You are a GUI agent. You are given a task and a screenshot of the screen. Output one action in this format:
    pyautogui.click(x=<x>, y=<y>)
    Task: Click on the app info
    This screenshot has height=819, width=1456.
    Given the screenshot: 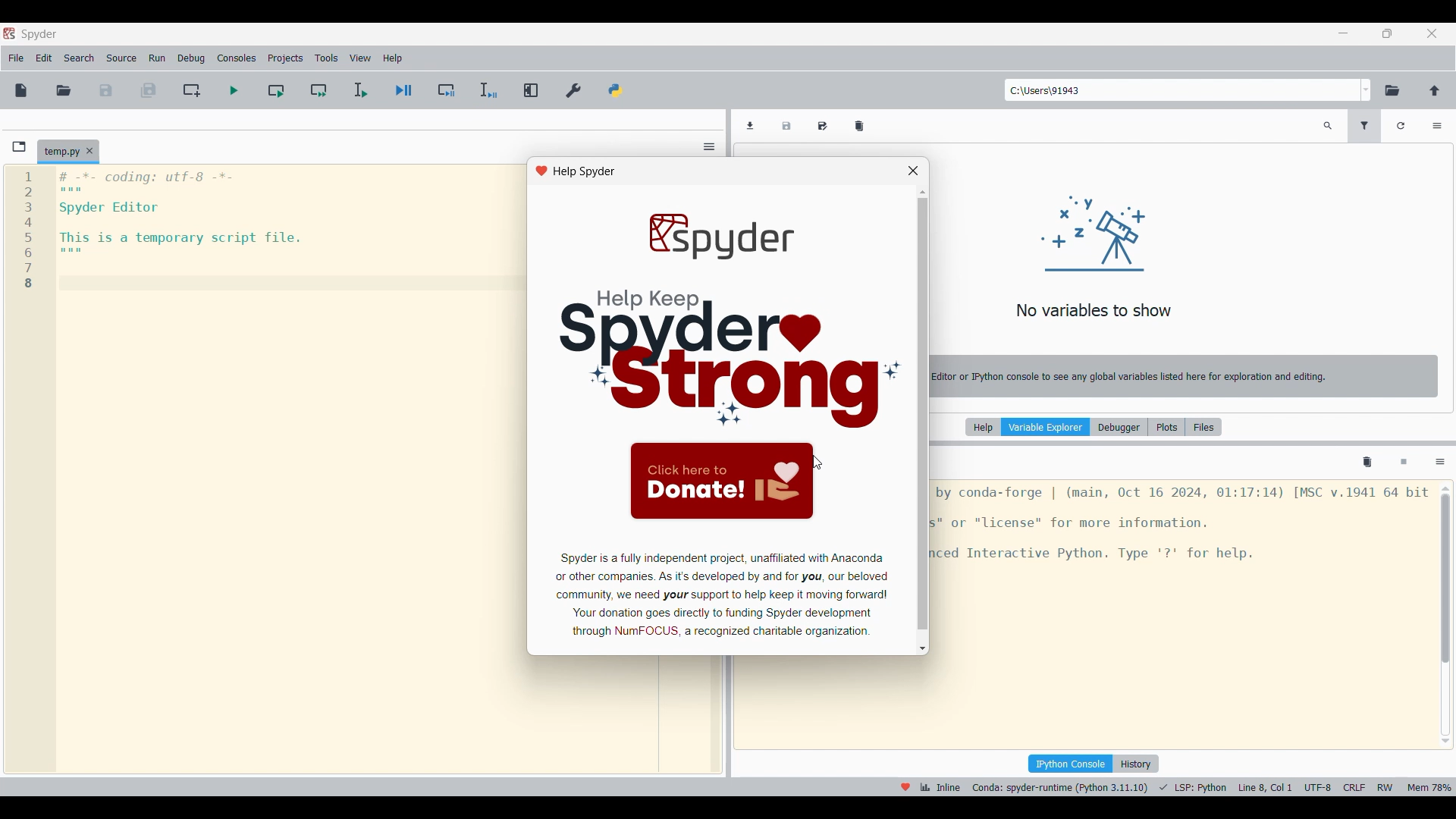 What is the action you would take?
    pyautogui.click(x=716, y=597)
    